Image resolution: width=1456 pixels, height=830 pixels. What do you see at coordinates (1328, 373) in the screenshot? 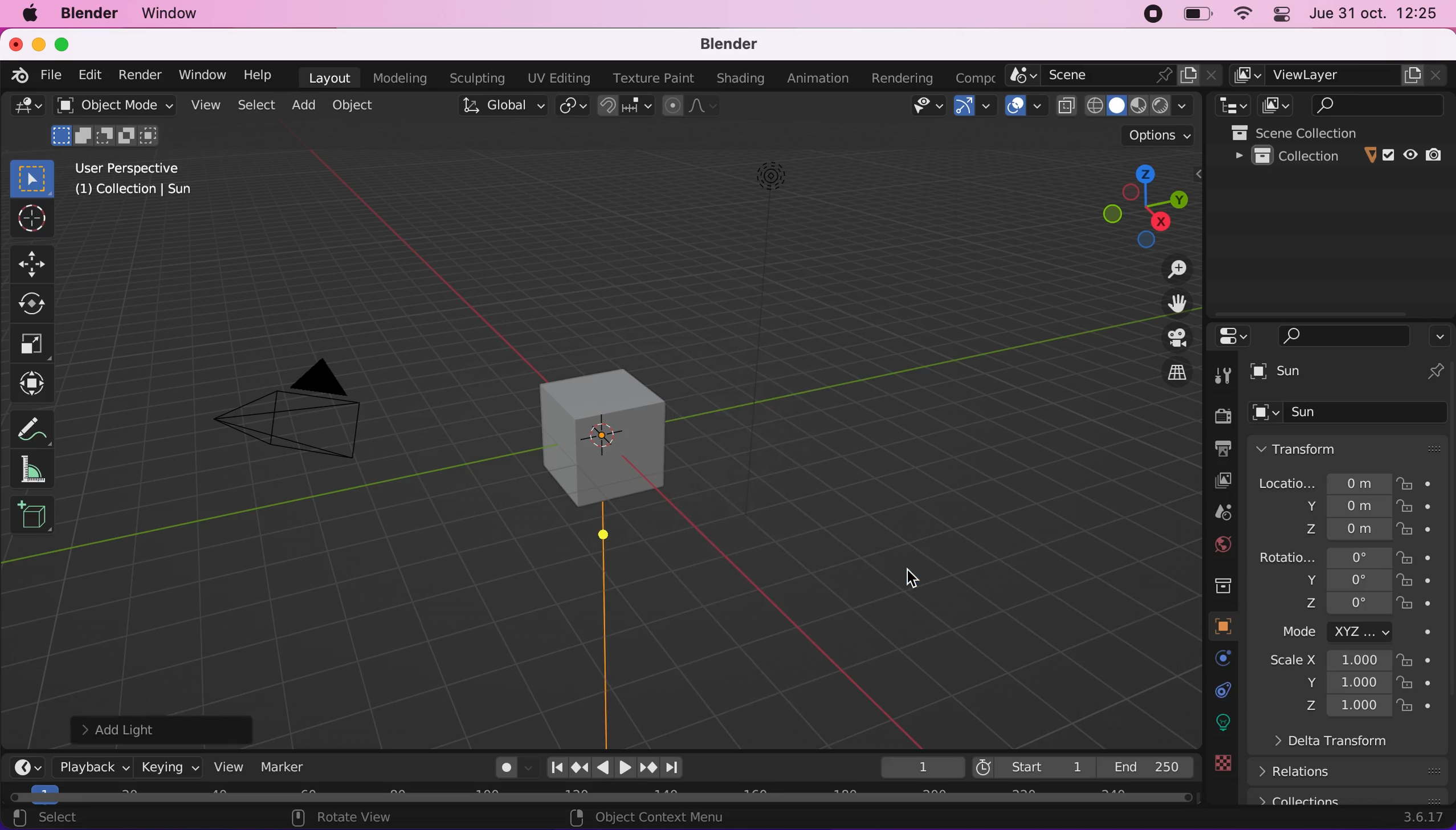
I see `cube` at bounding box center [1328, 373].